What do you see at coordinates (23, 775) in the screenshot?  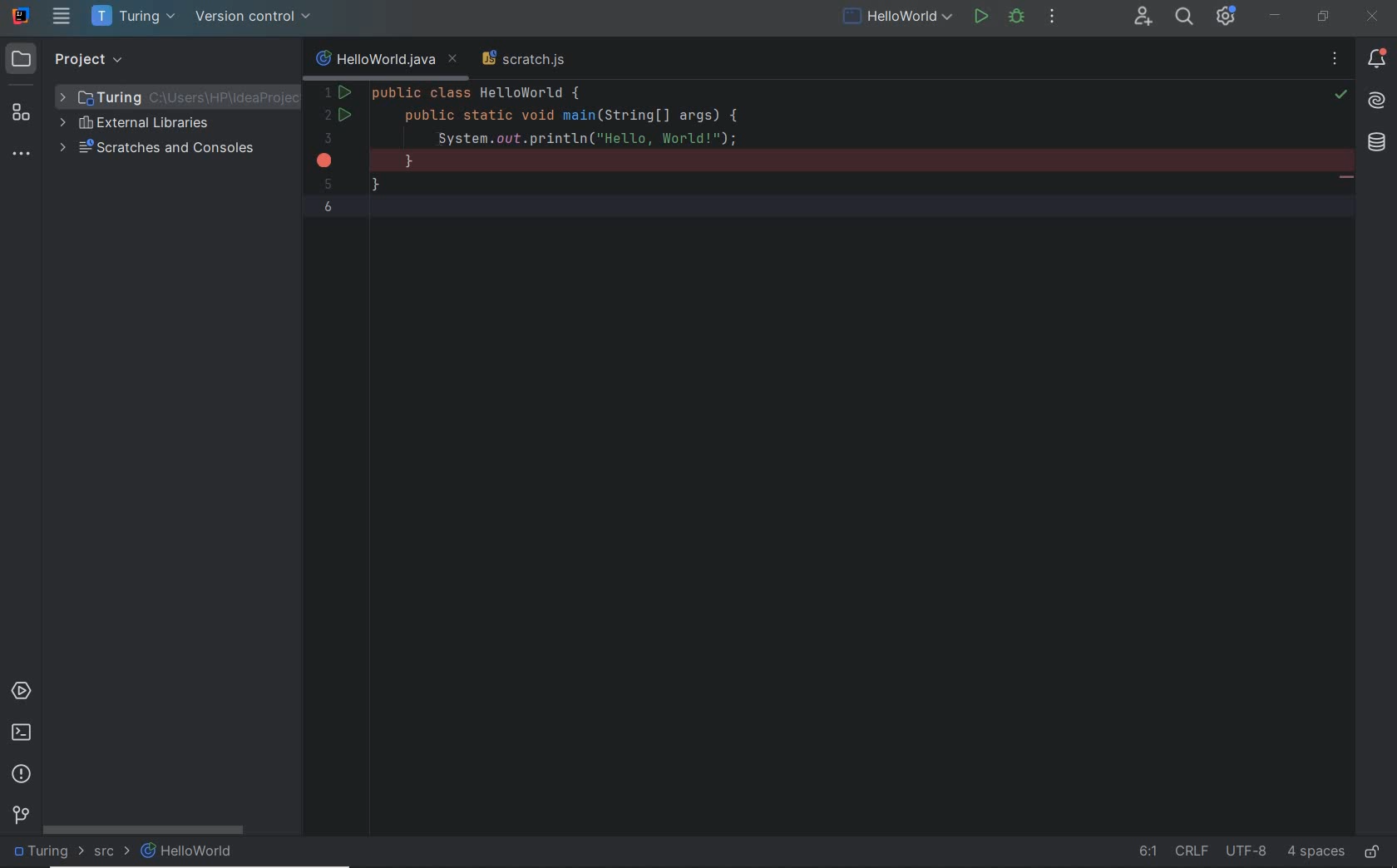 I see `problems` at bounding box center [23, 775].